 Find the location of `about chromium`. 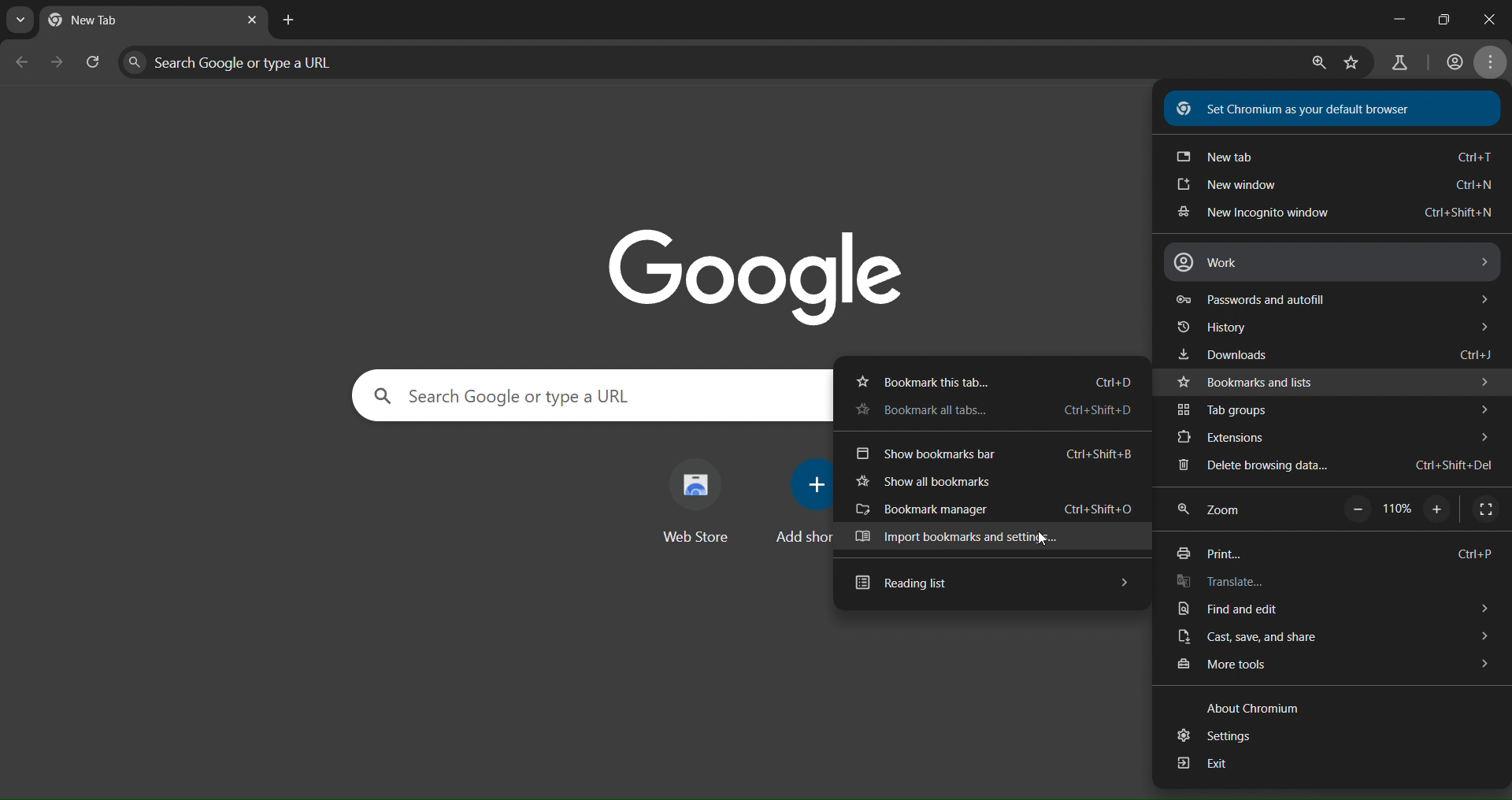

about chromium is located at coordinates (1259, 706).